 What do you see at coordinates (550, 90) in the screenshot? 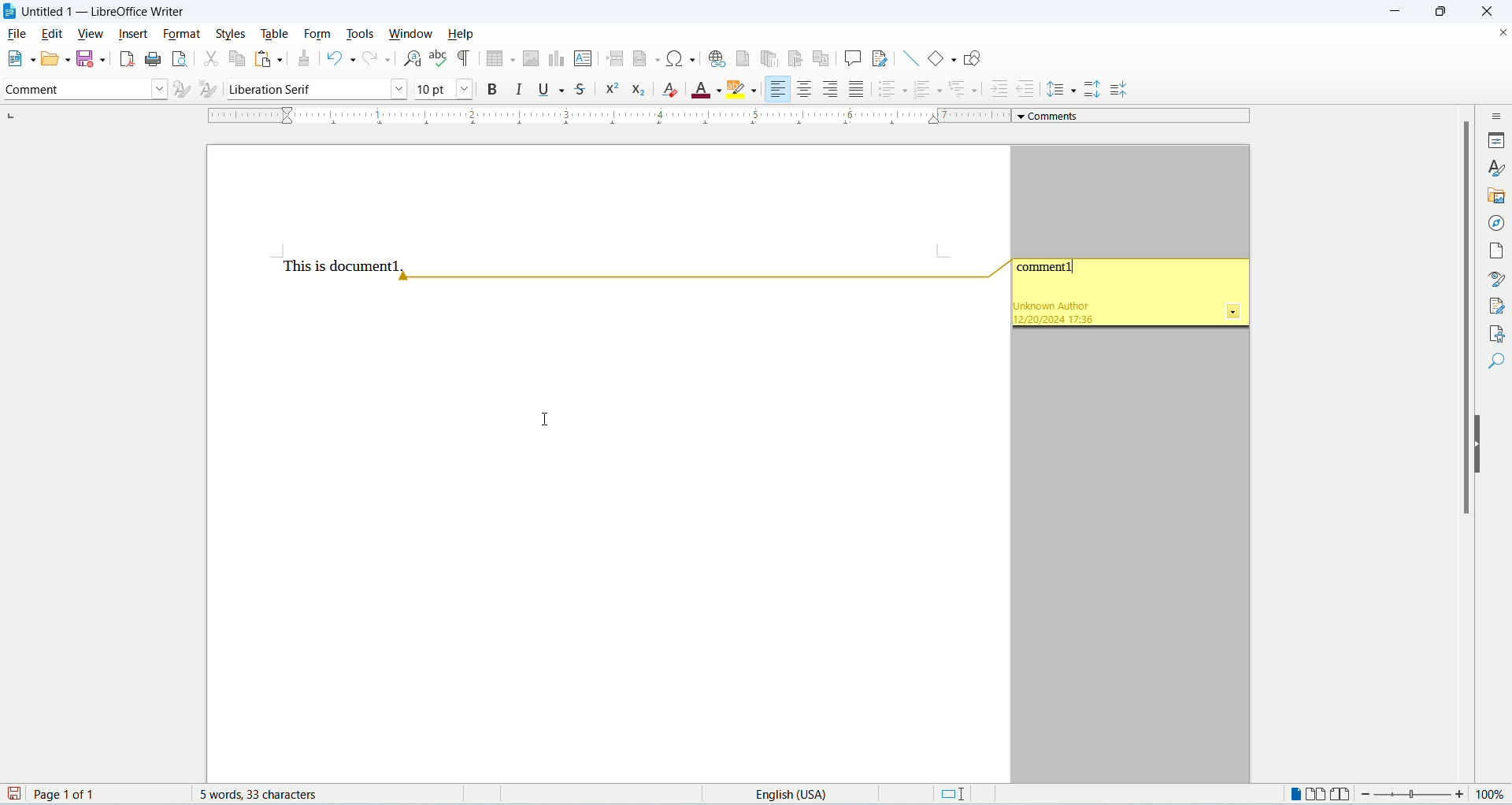
I see `underline` at bounding box center [550, 90].